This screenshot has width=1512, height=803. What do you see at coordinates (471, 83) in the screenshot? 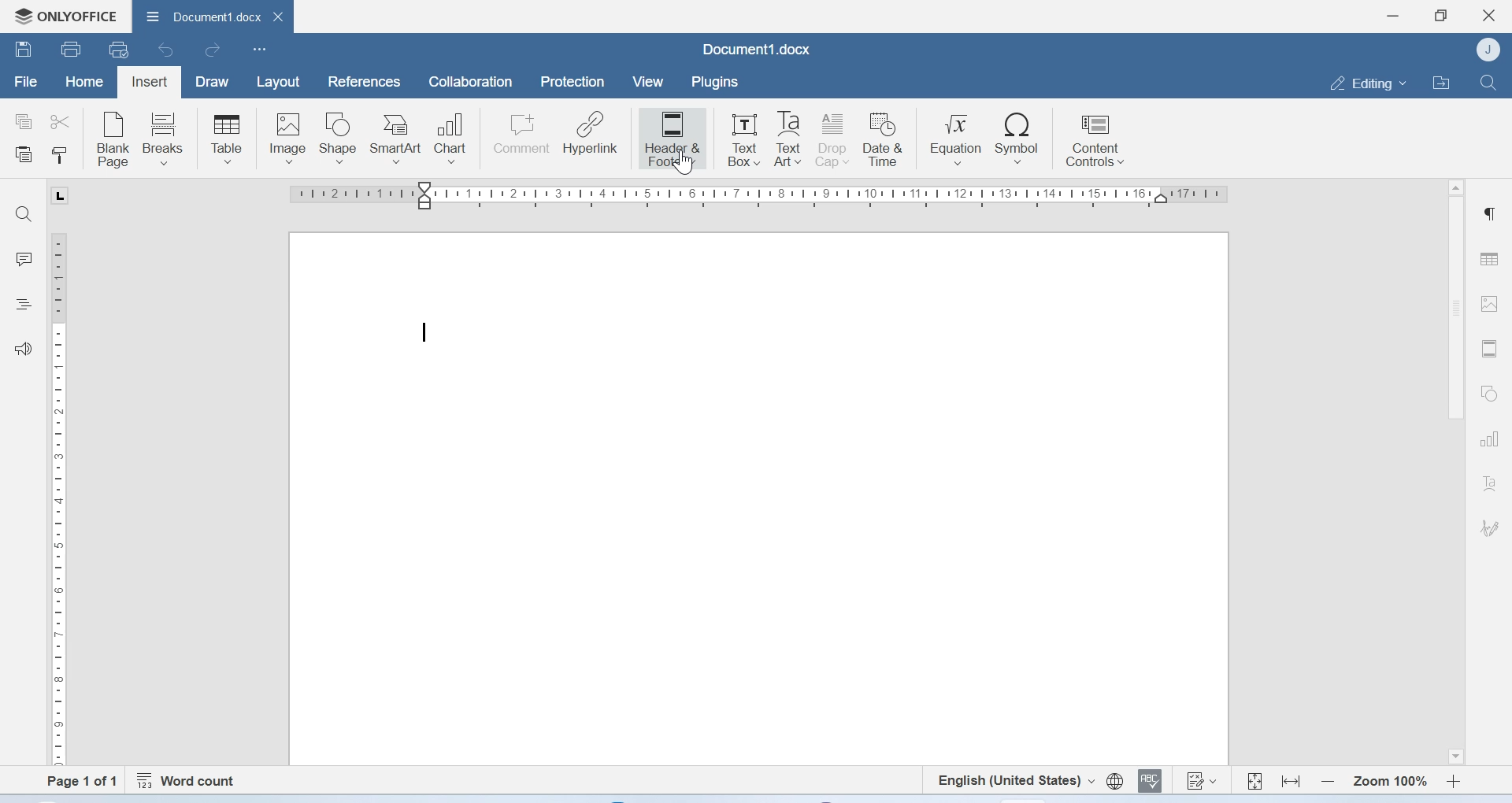
I see `Collaboration` at bounding box center [471, 83].